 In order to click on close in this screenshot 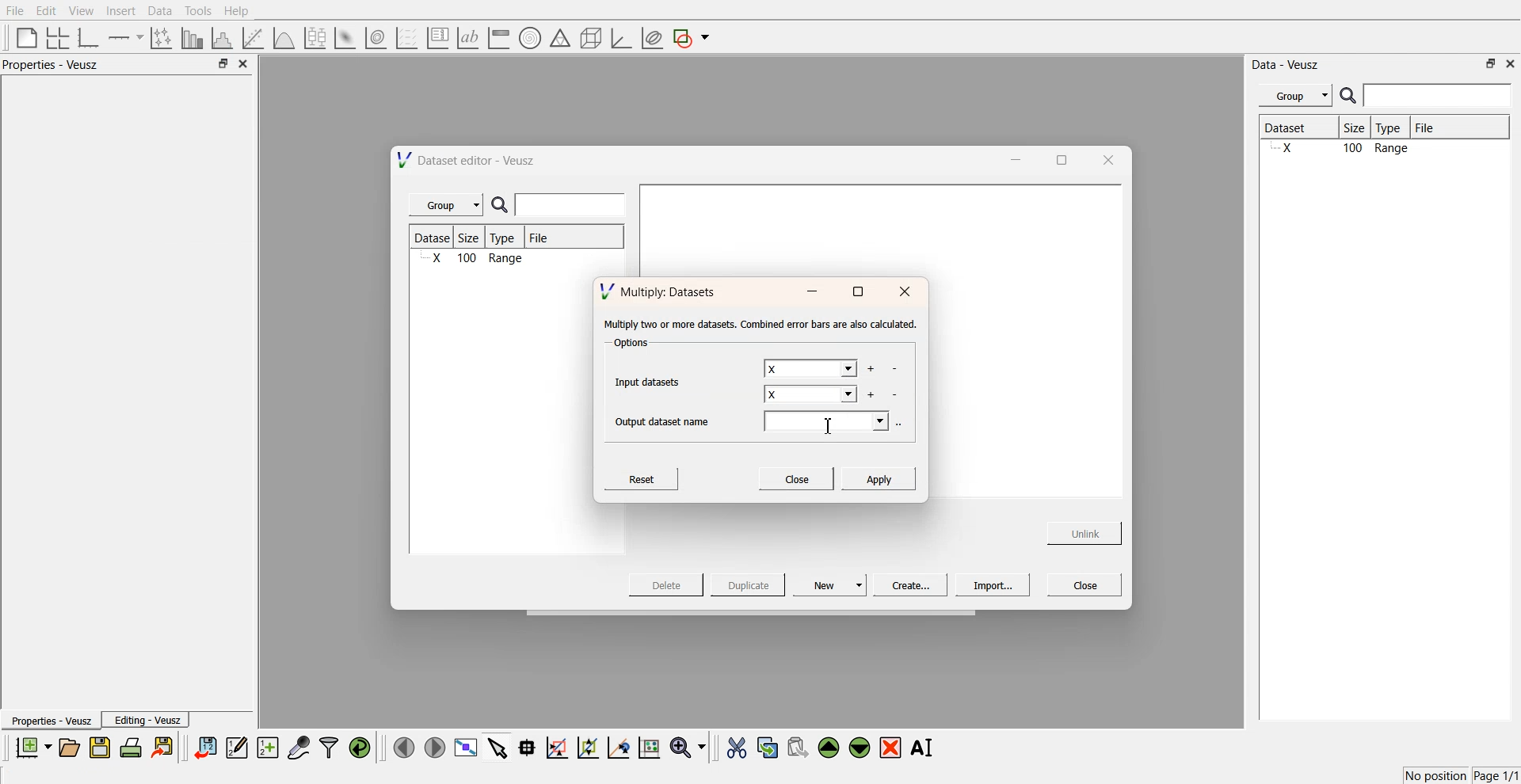, I will do `click(1107, 159)`.